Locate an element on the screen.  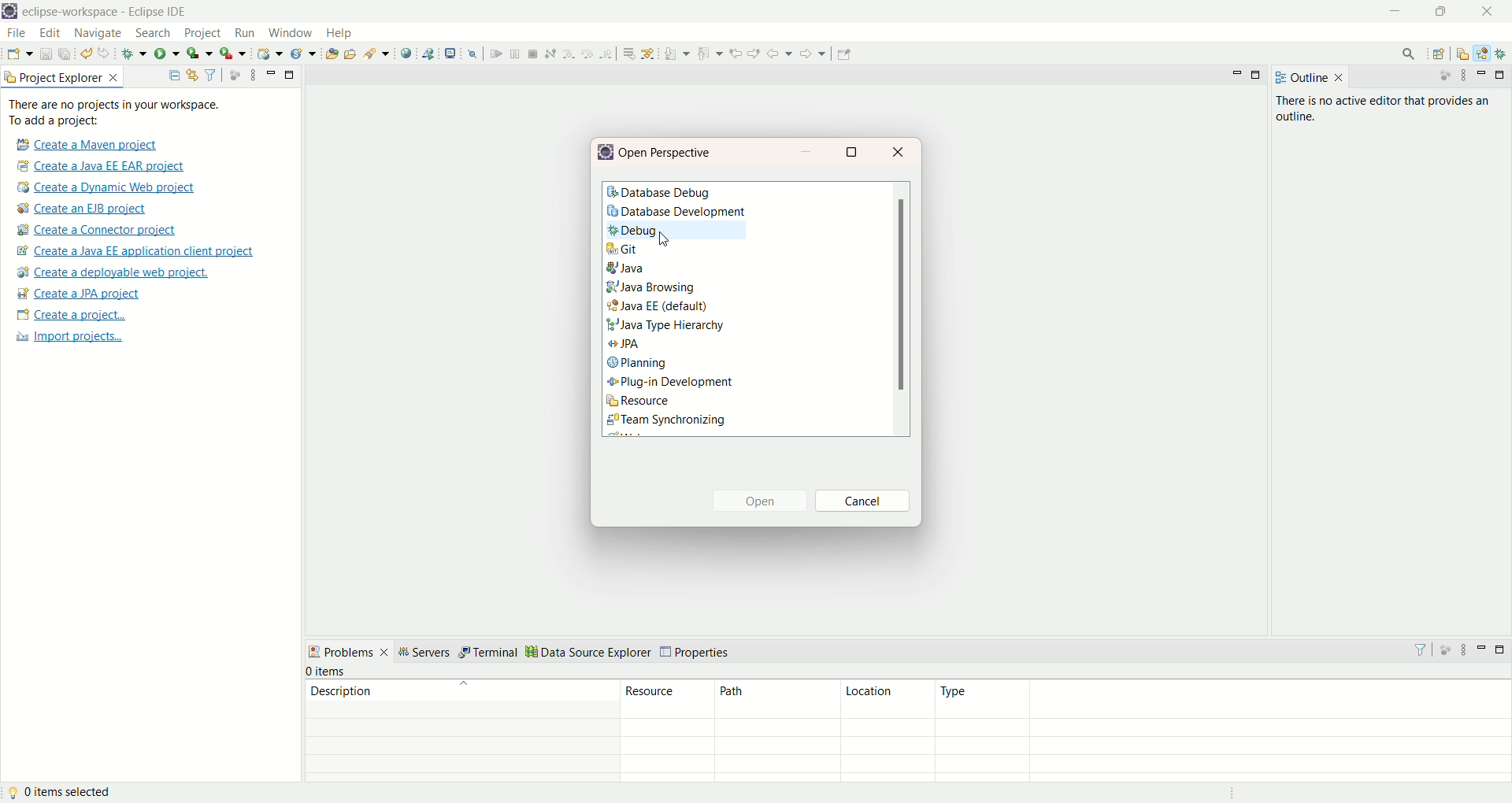
create a connector project is located at coordinates (97, 232).